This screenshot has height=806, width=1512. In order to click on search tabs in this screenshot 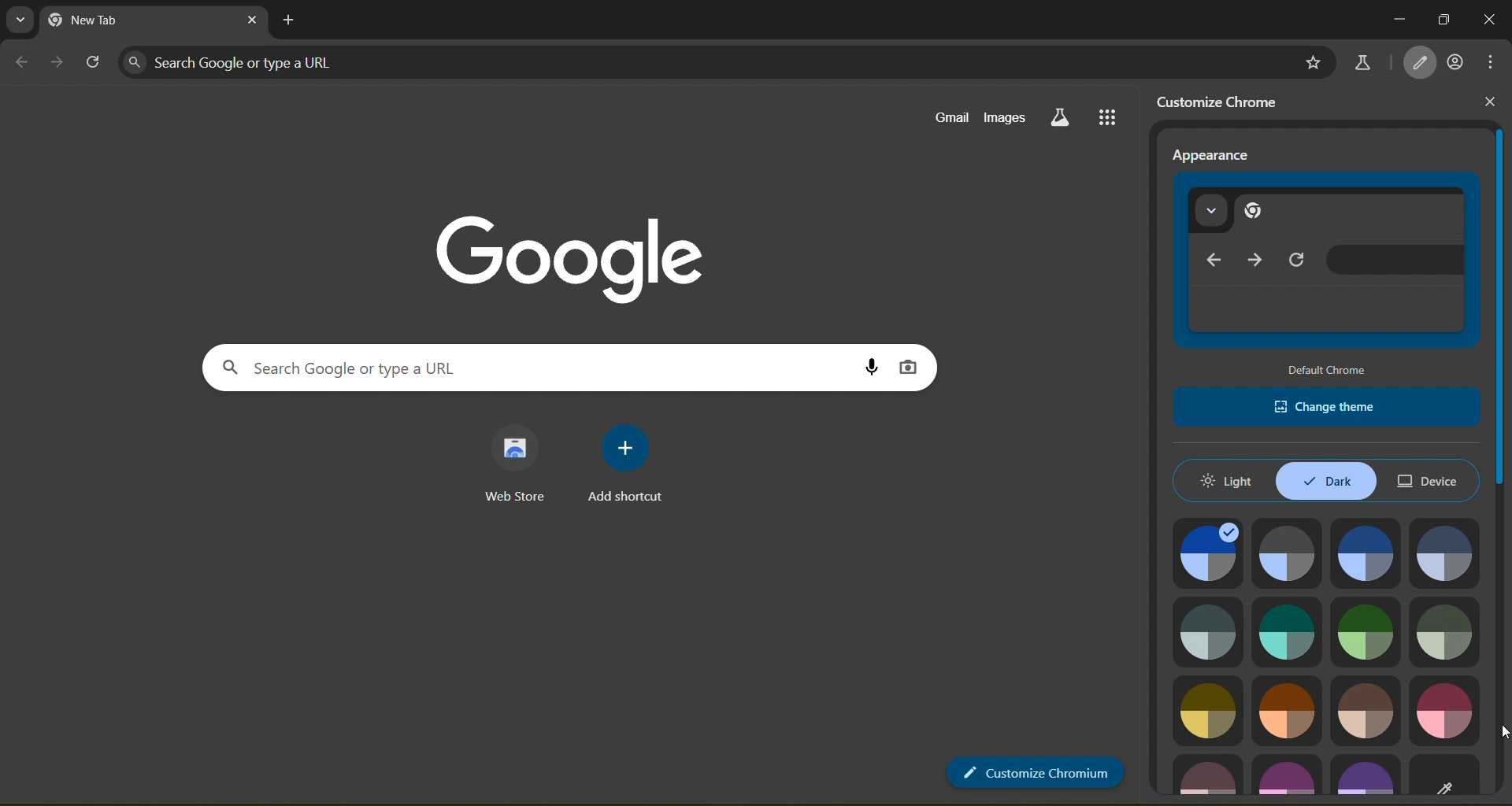, I will do `click(20, 19)`.